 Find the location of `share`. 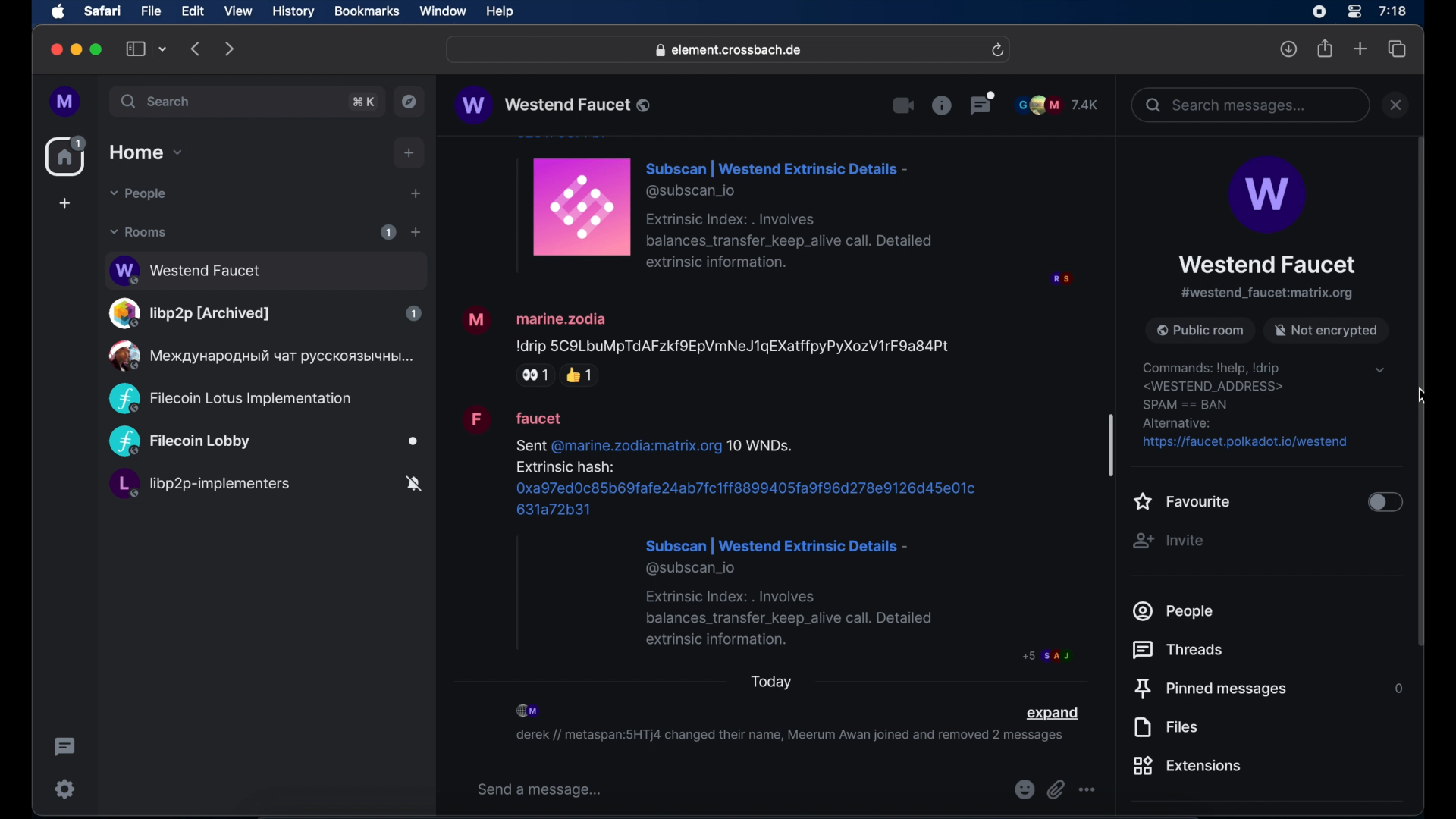

share is located at coordinates (1326, 49).